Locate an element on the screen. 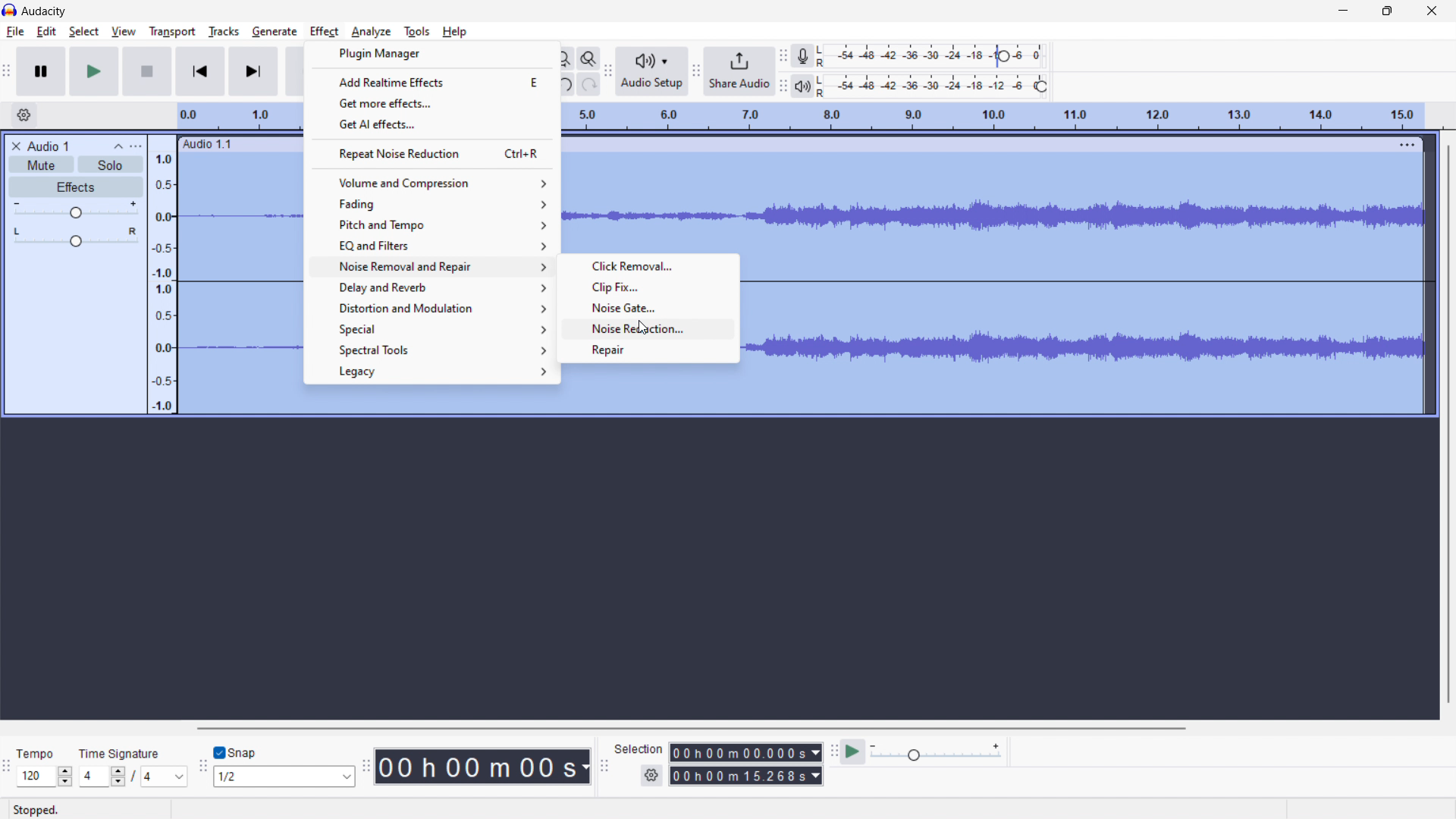 This screenshot has width=1456, height=819. volume and compression is located at coordinates (431, 183).